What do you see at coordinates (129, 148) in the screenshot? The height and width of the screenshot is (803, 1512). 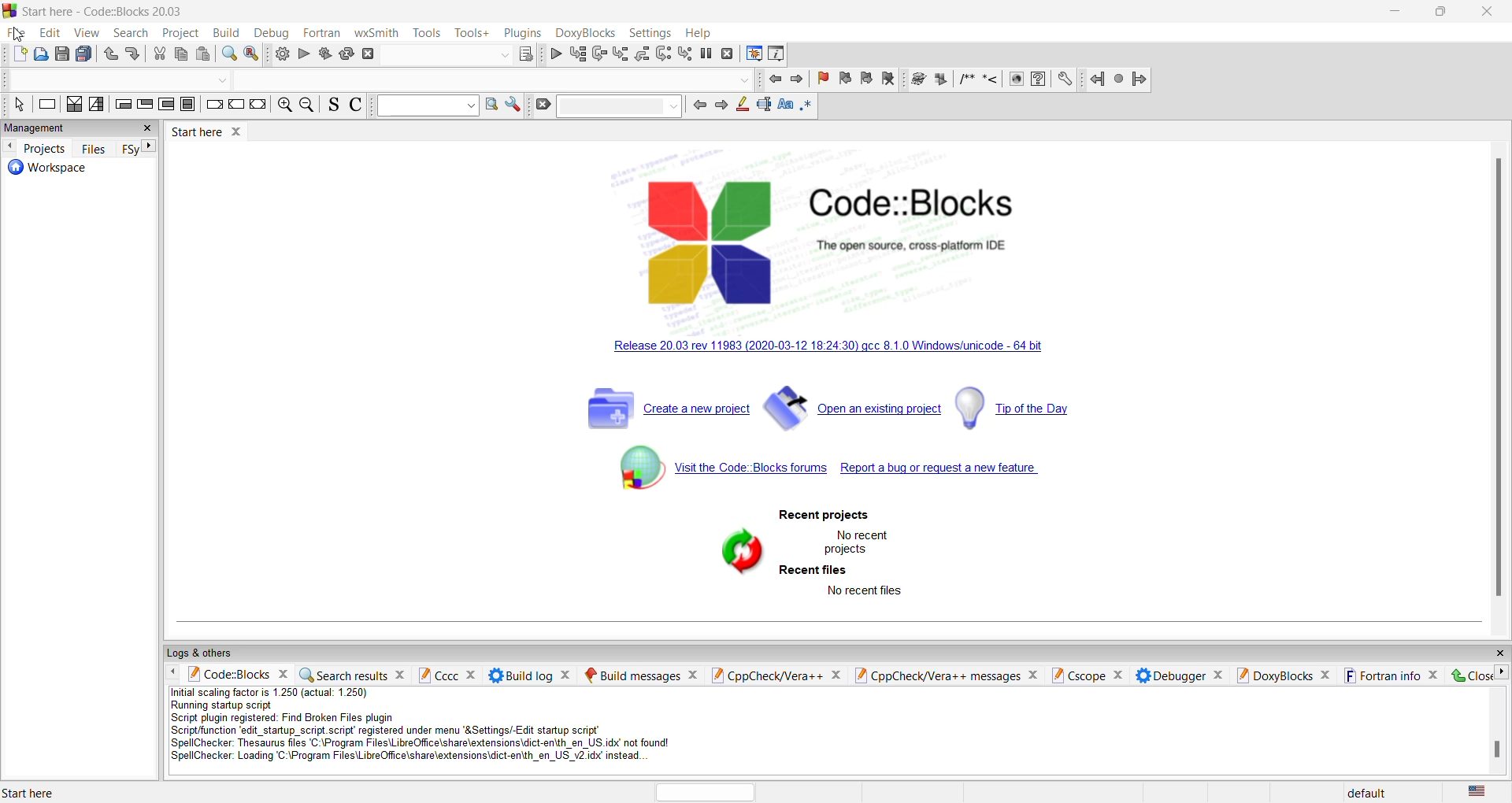 I see `fsync` at bounding box center [129, 148].